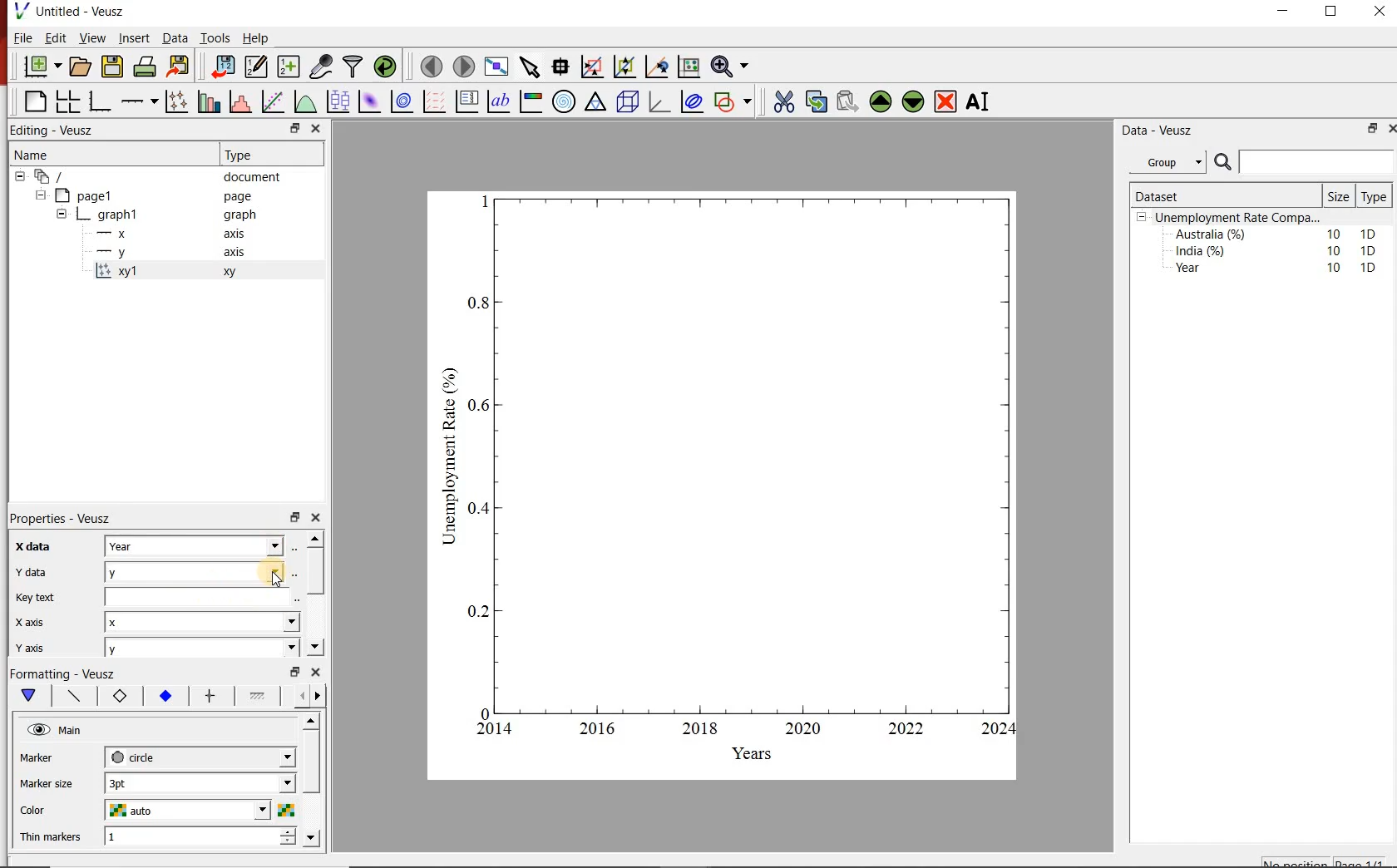  I want to click on graph1
pl graph, so click(172, 215).